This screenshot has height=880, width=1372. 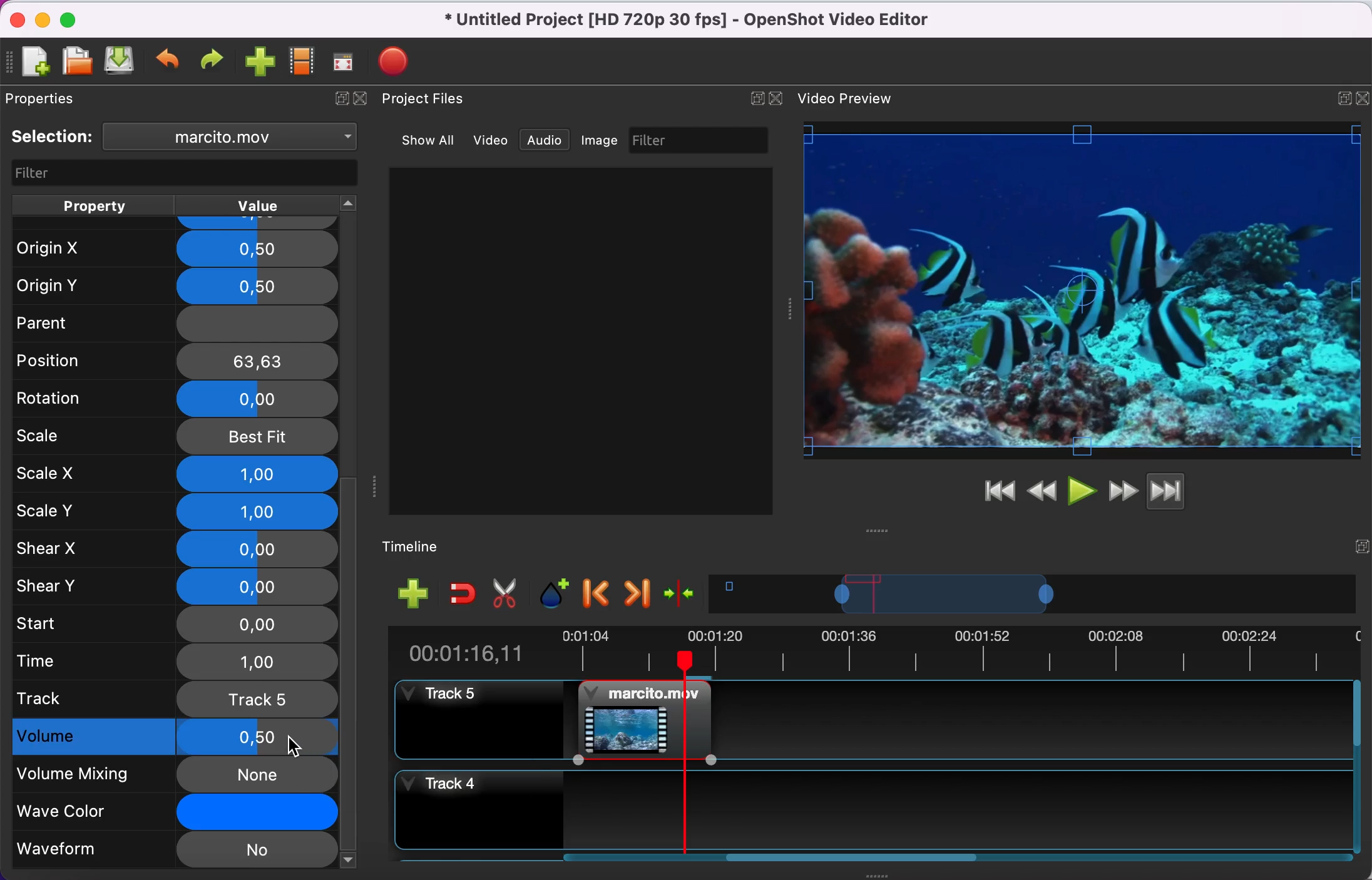 I want to click on clip name, so click(x=232, y=139).